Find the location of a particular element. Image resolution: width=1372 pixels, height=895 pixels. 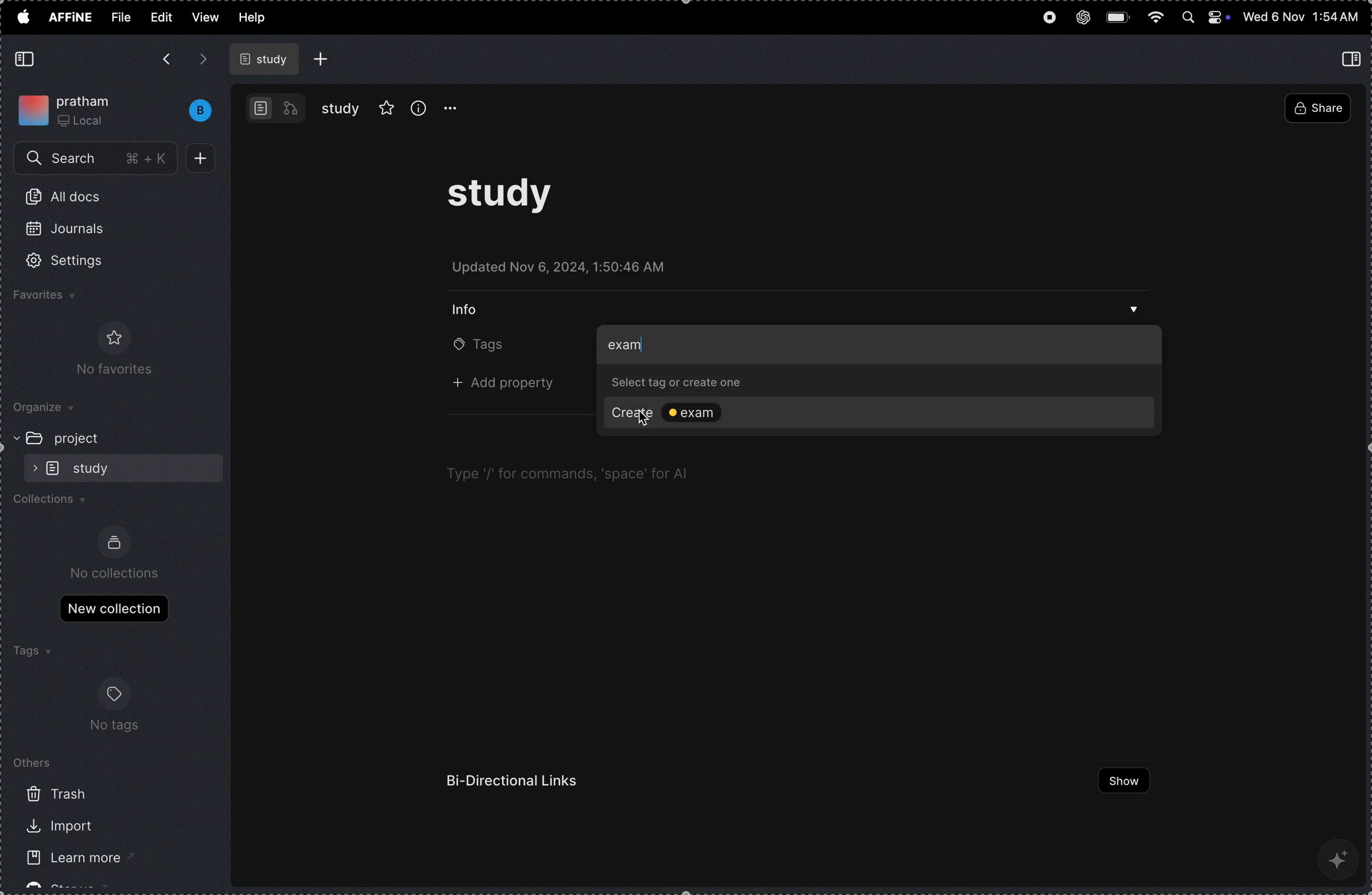

forward is located at coordinates (203, 59).